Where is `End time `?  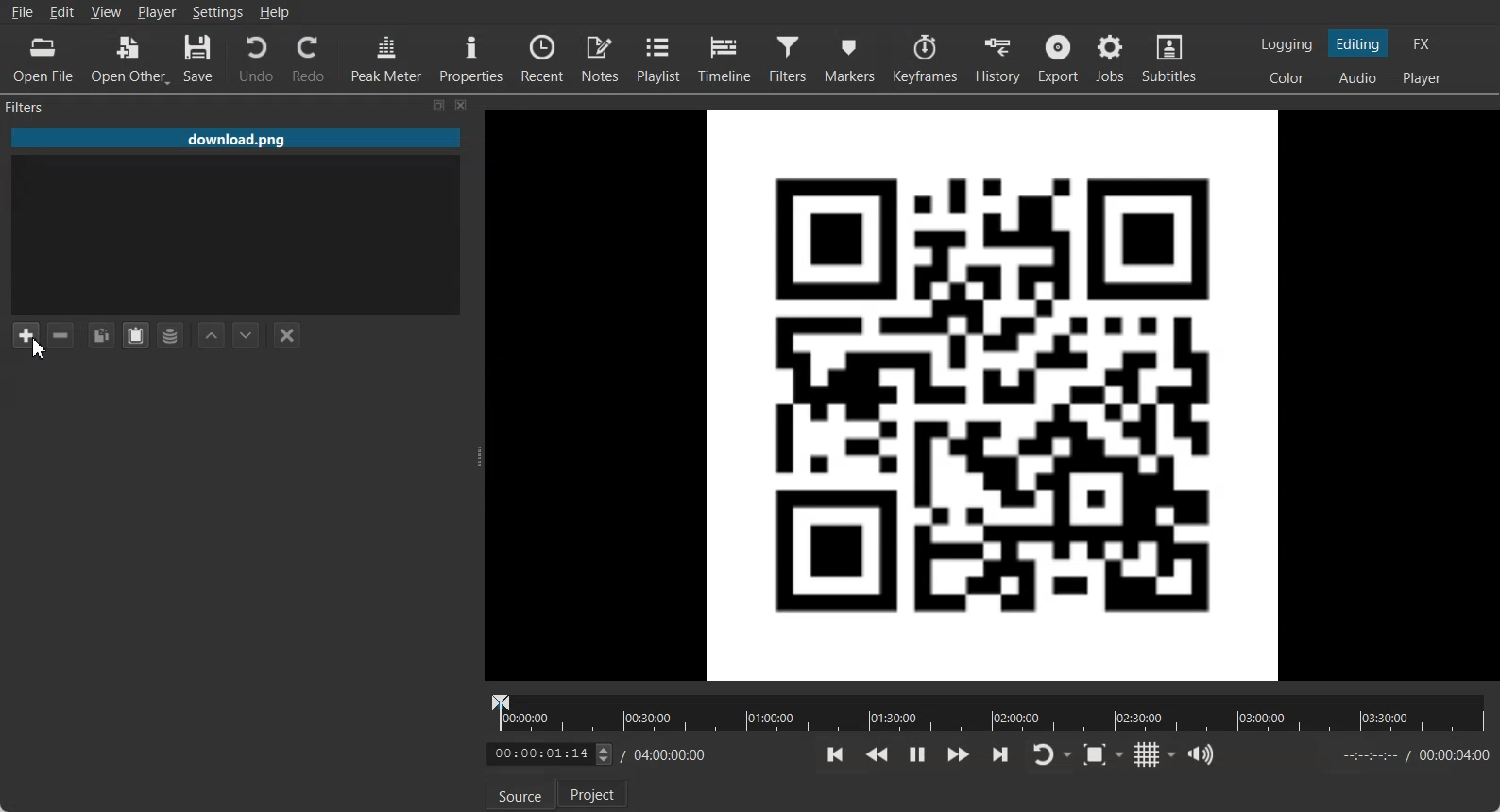 End time  is located at coordinates (1411, 755).